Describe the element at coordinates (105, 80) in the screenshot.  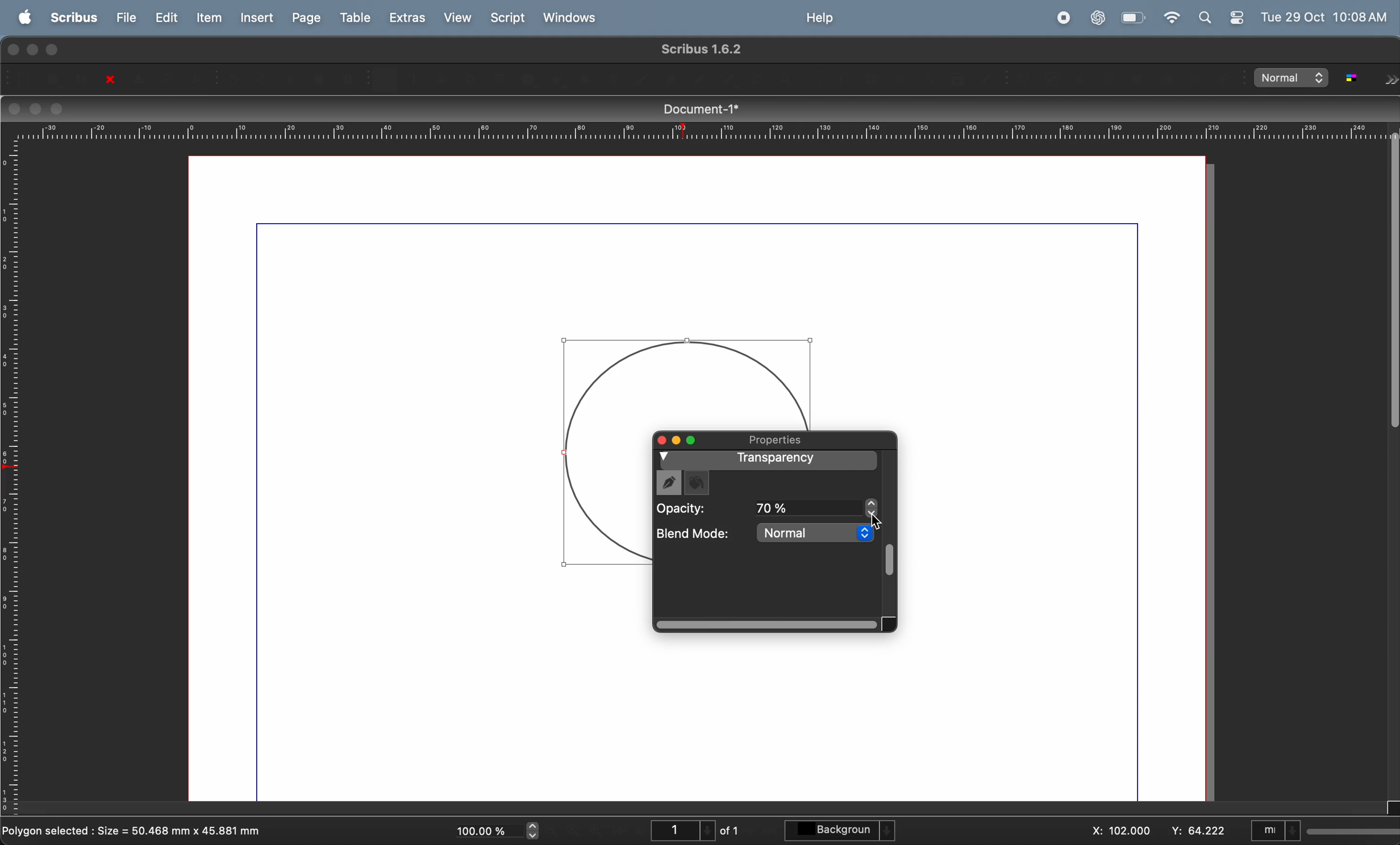
I see `close` at that location.